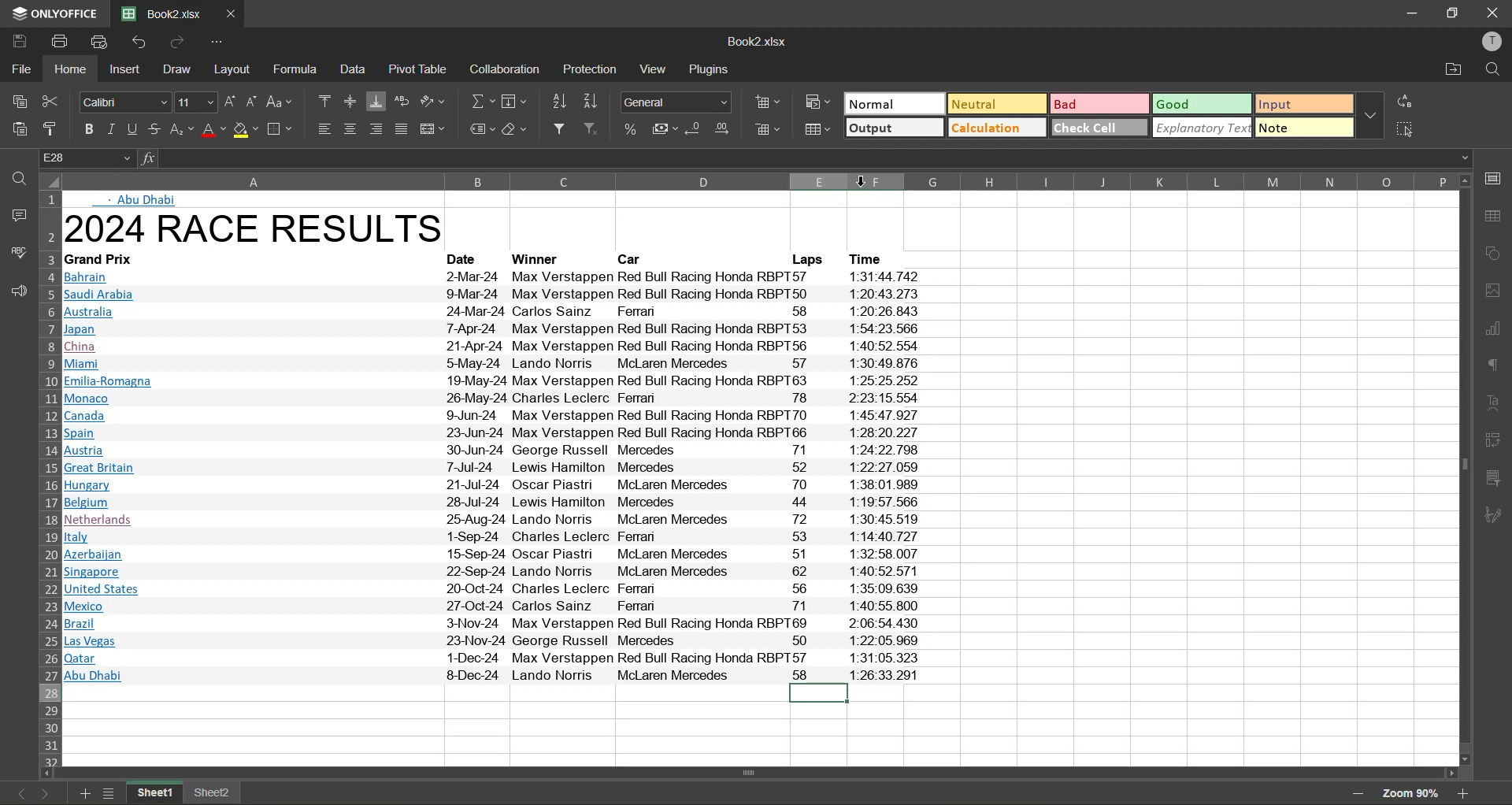 The width and height of the screenshot is (1512, 805). Describe the element at coordinates (232, 102) in the screenshot. I see `increment size` at that location.